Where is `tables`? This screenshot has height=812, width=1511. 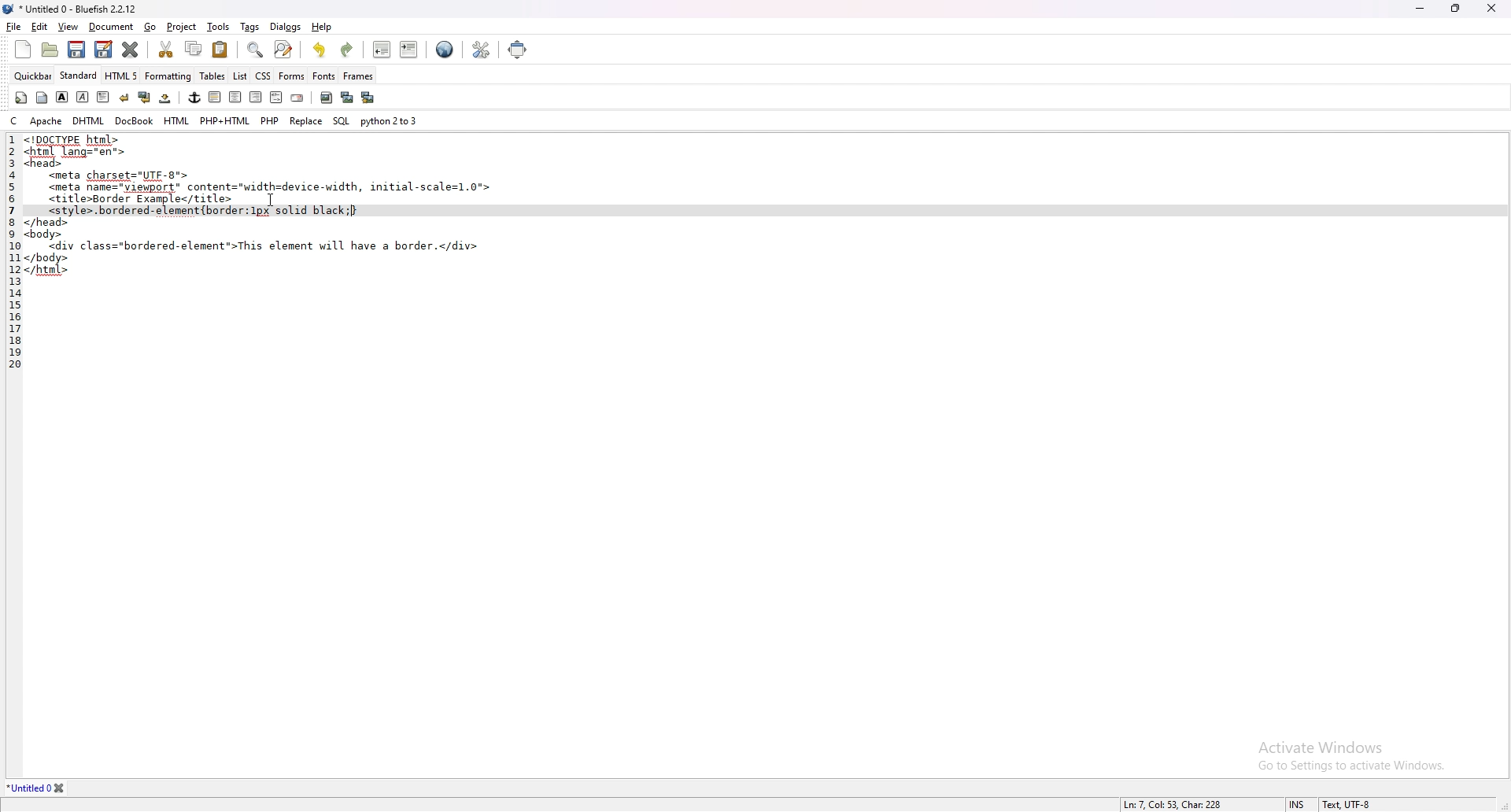 tables is located at coordinates (213, 76).